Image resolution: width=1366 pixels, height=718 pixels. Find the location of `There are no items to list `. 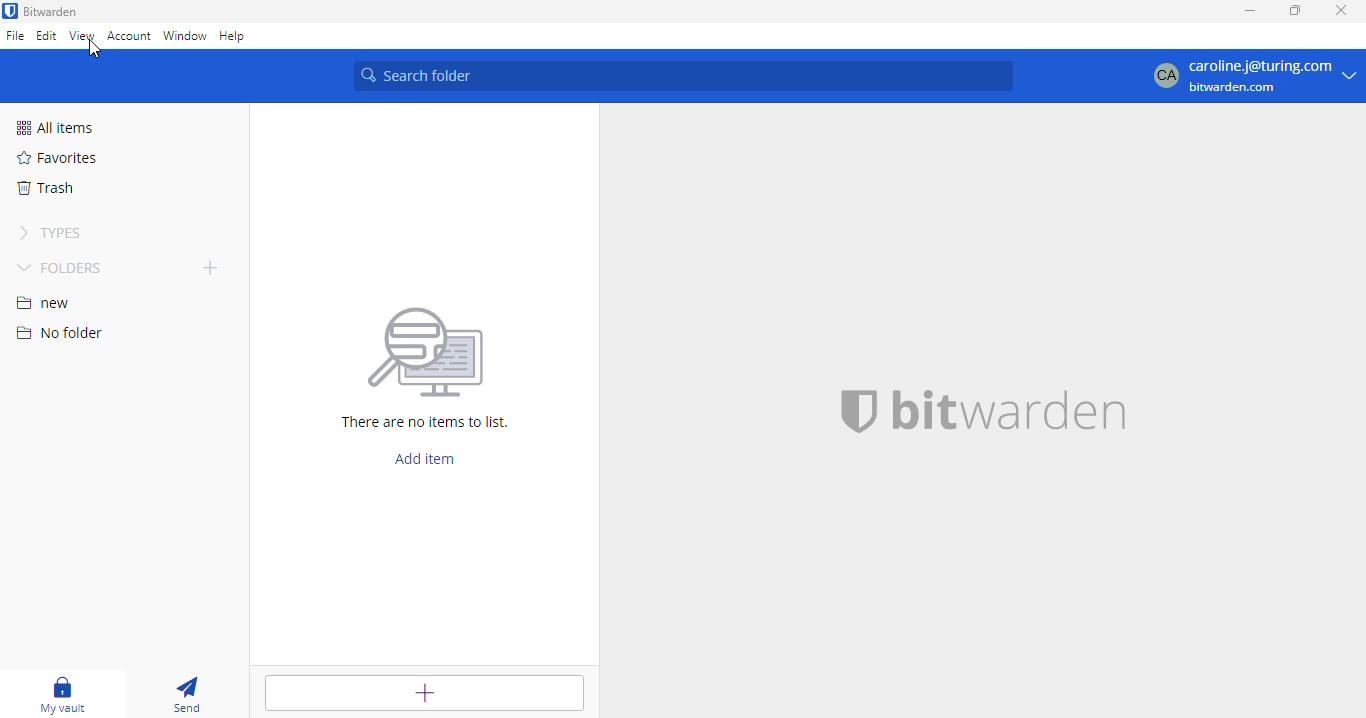

There are no items to list  is located at coordinates (432, 424).